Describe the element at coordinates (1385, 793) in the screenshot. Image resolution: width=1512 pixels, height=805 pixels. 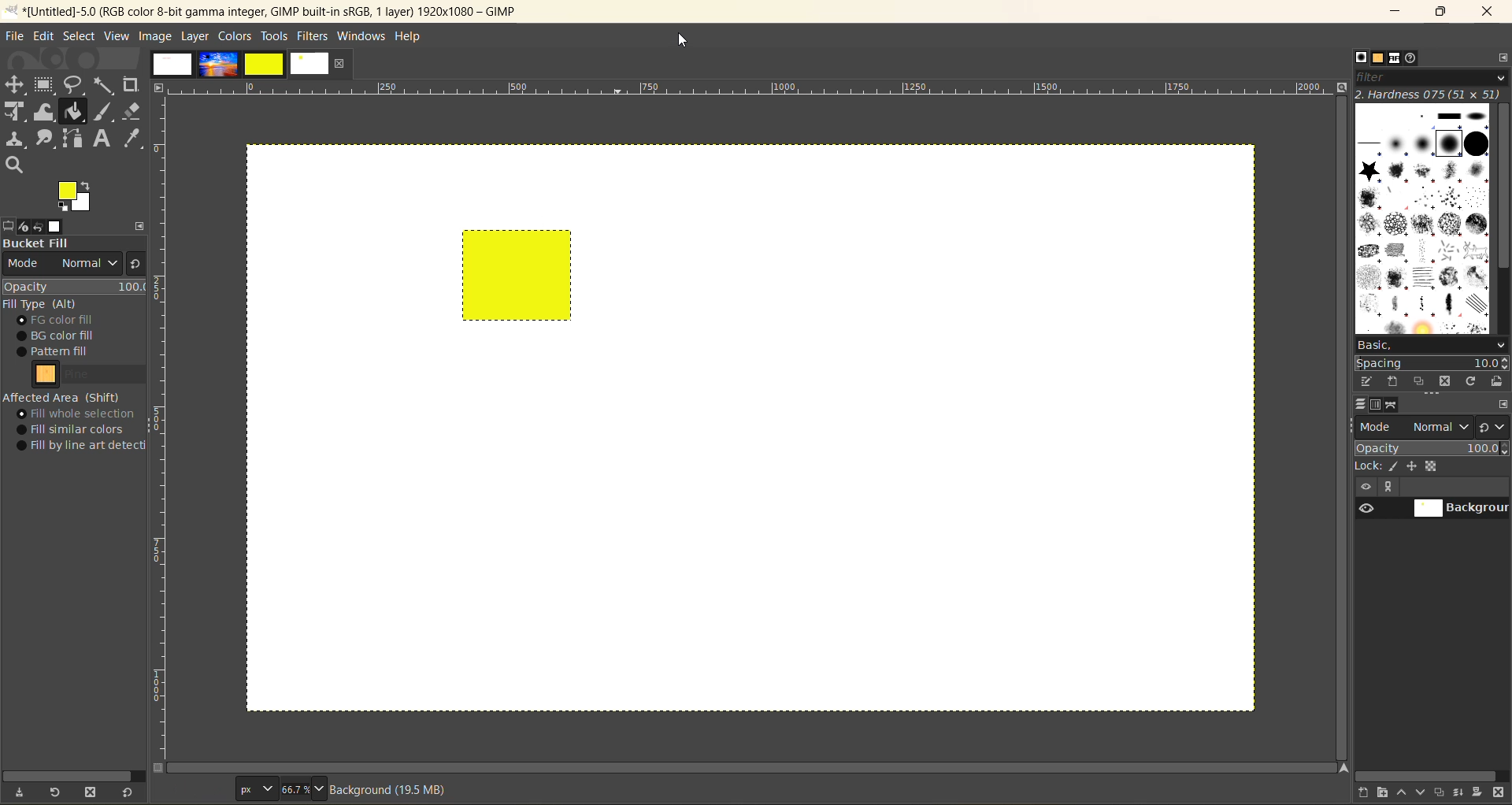
I see `create a new layer group` at that location.